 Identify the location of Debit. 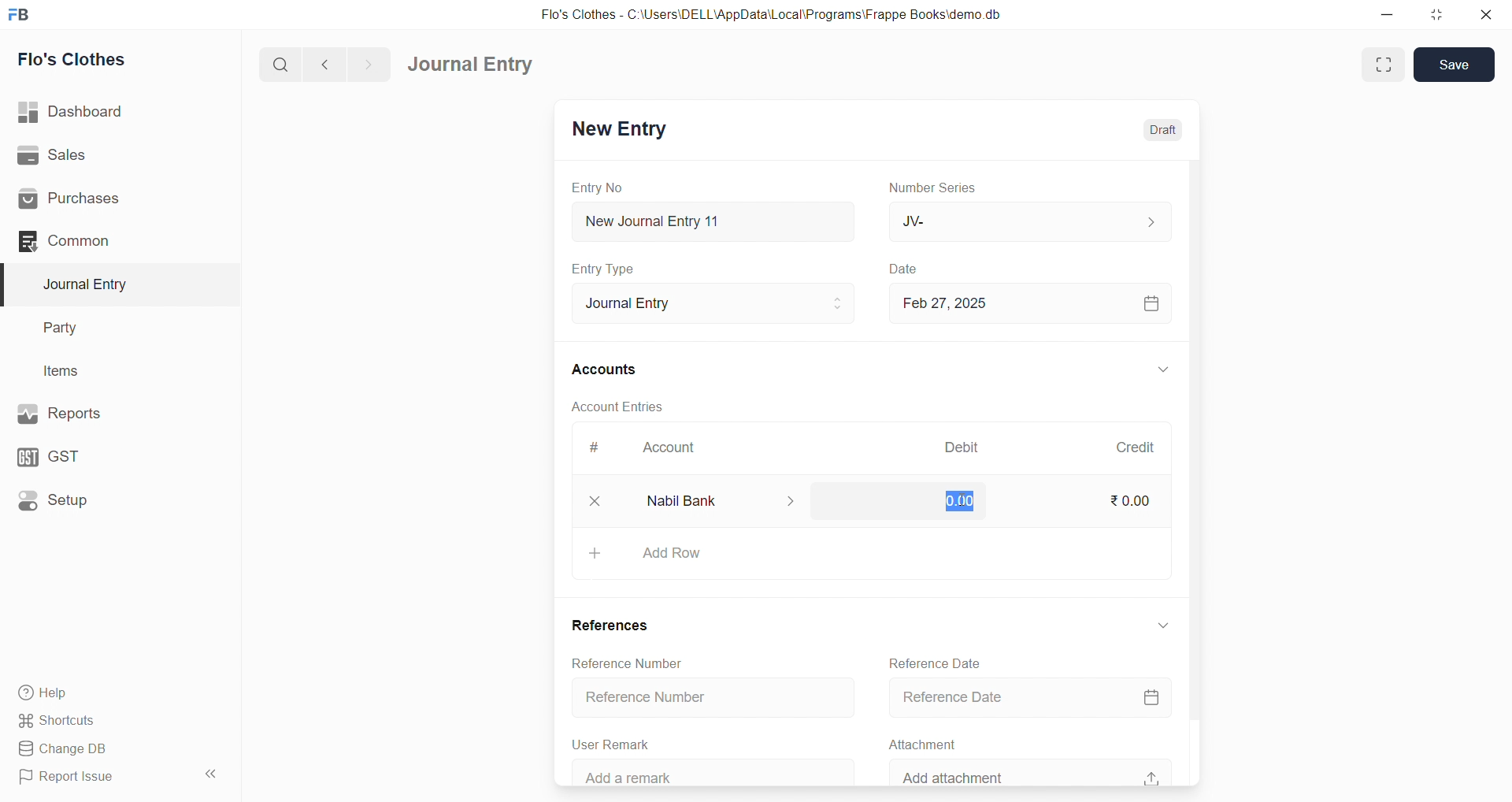
(965, 446).